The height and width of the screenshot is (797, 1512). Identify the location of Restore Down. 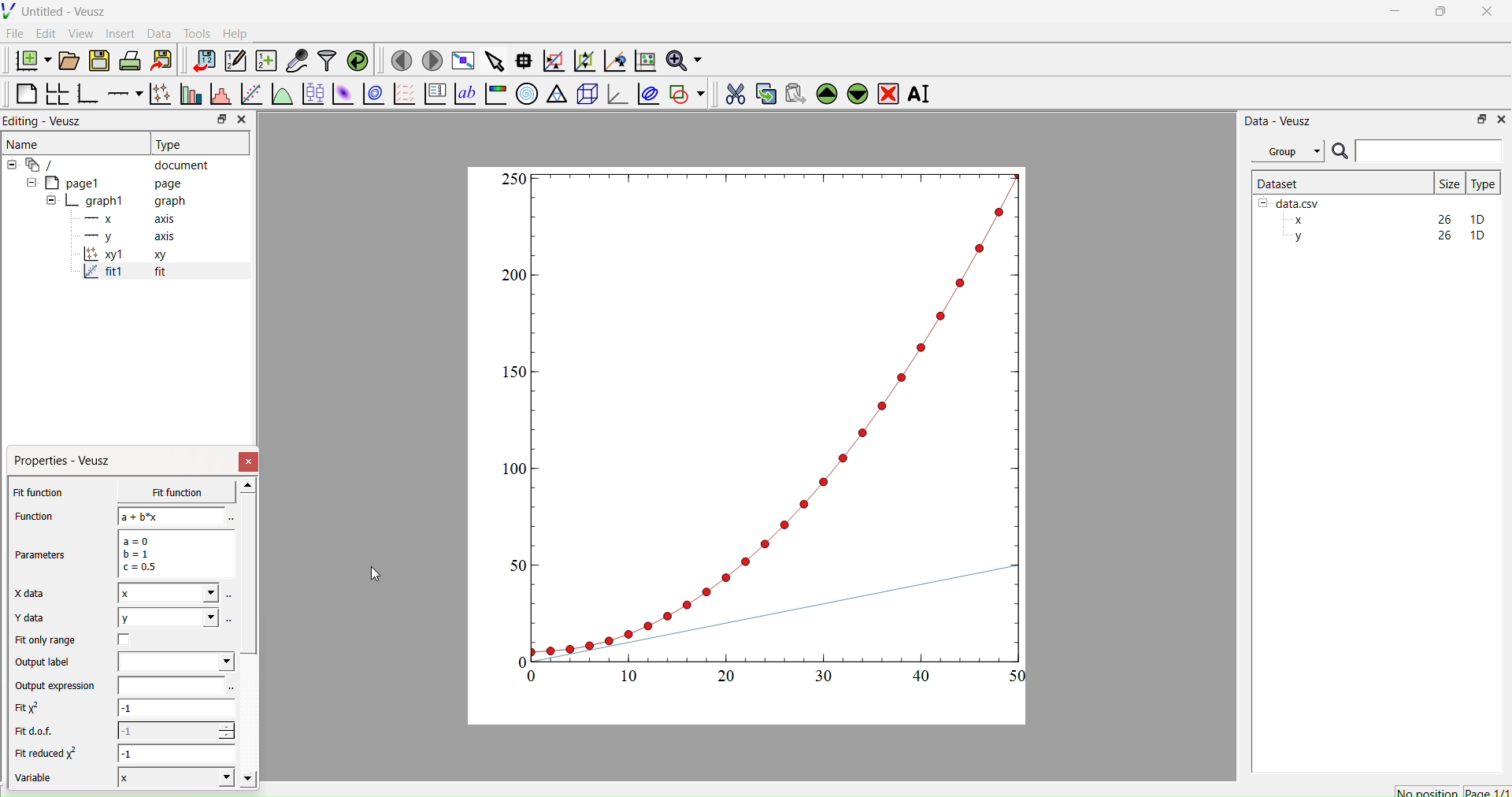
(1477, 118).